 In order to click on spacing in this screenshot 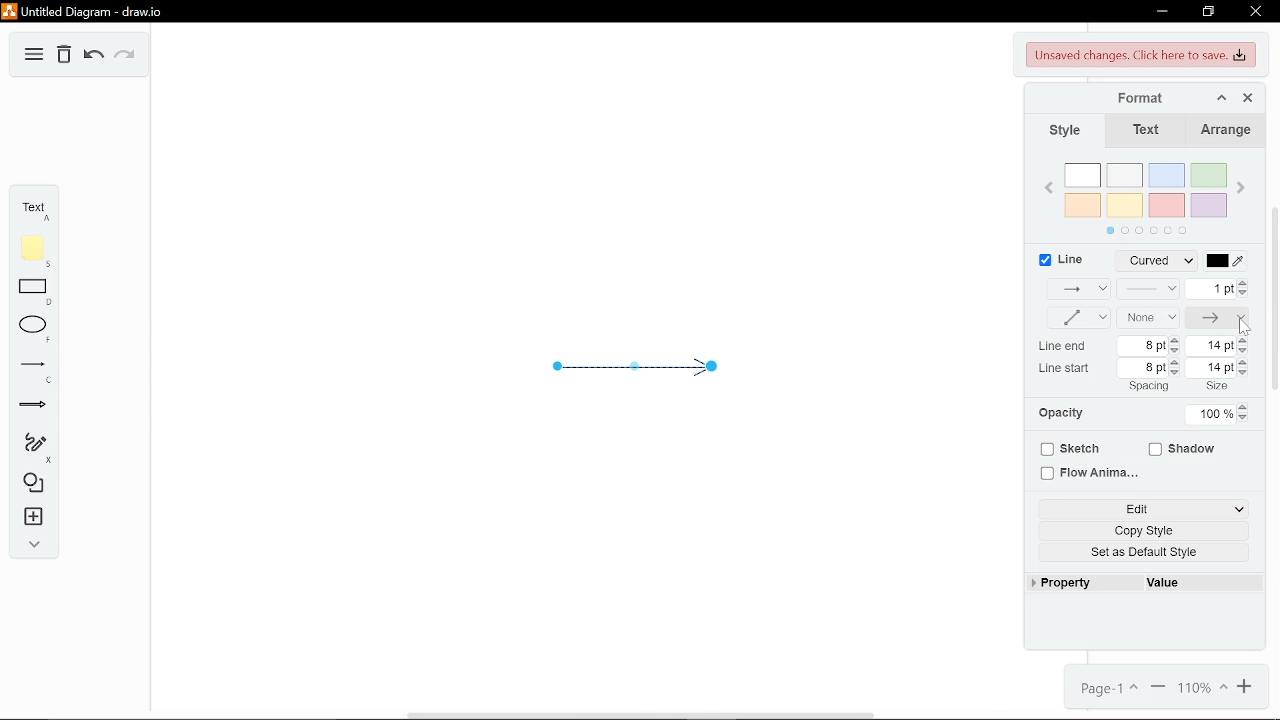, I will do `click(1148, 386)`.